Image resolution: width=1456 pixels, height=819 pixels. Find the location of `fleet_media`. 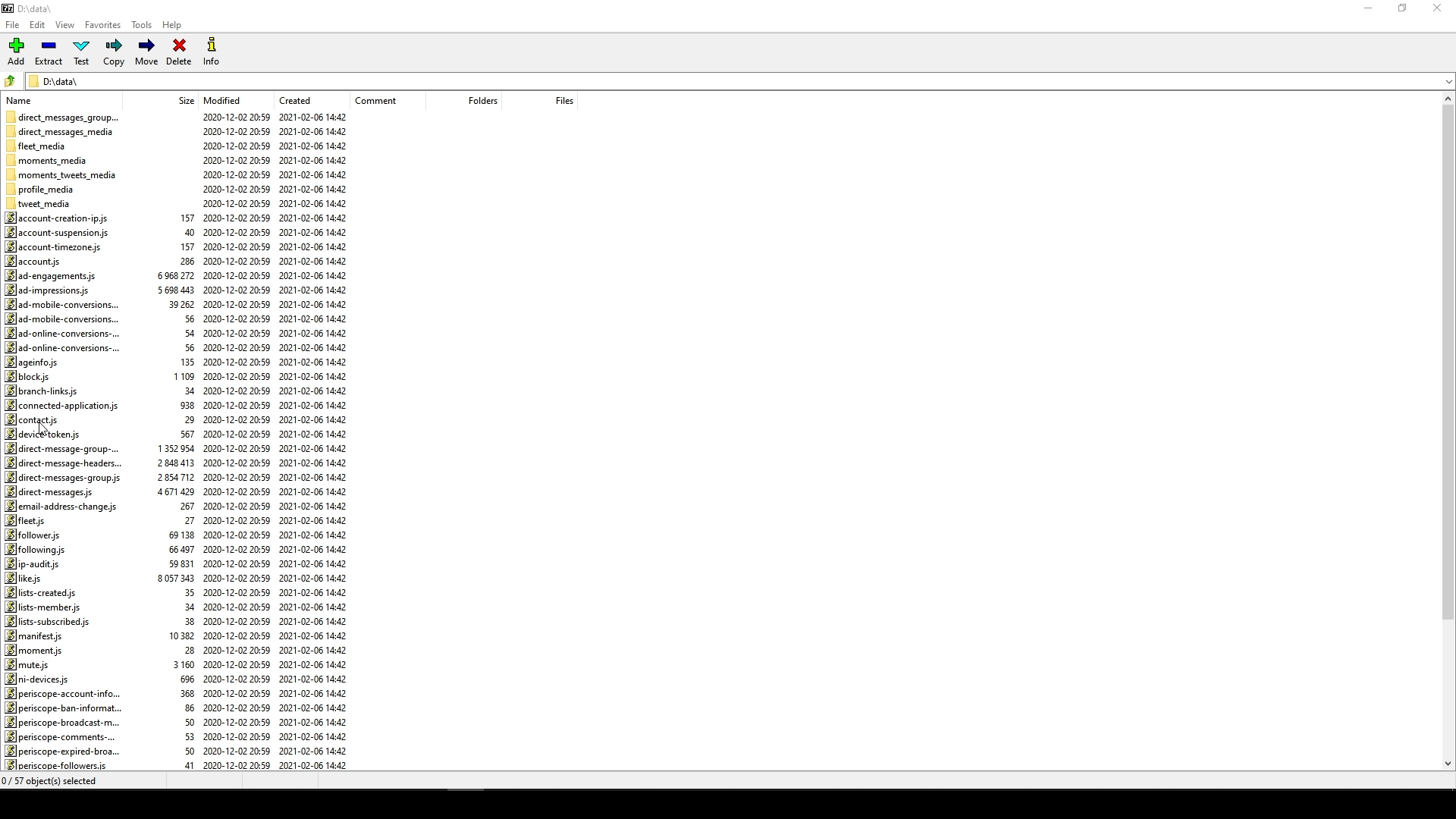

fleet_media is located at coordinates (39, 145).